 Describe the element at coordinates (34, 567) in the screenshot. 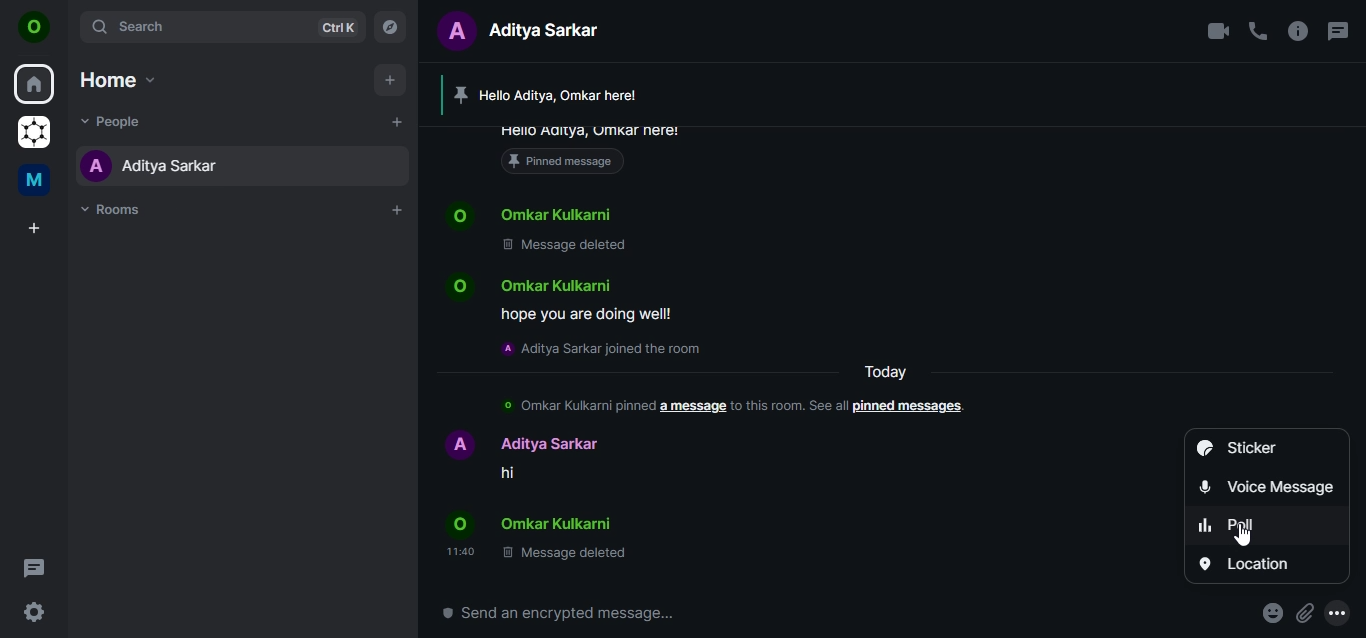

I see `threads` at that location.